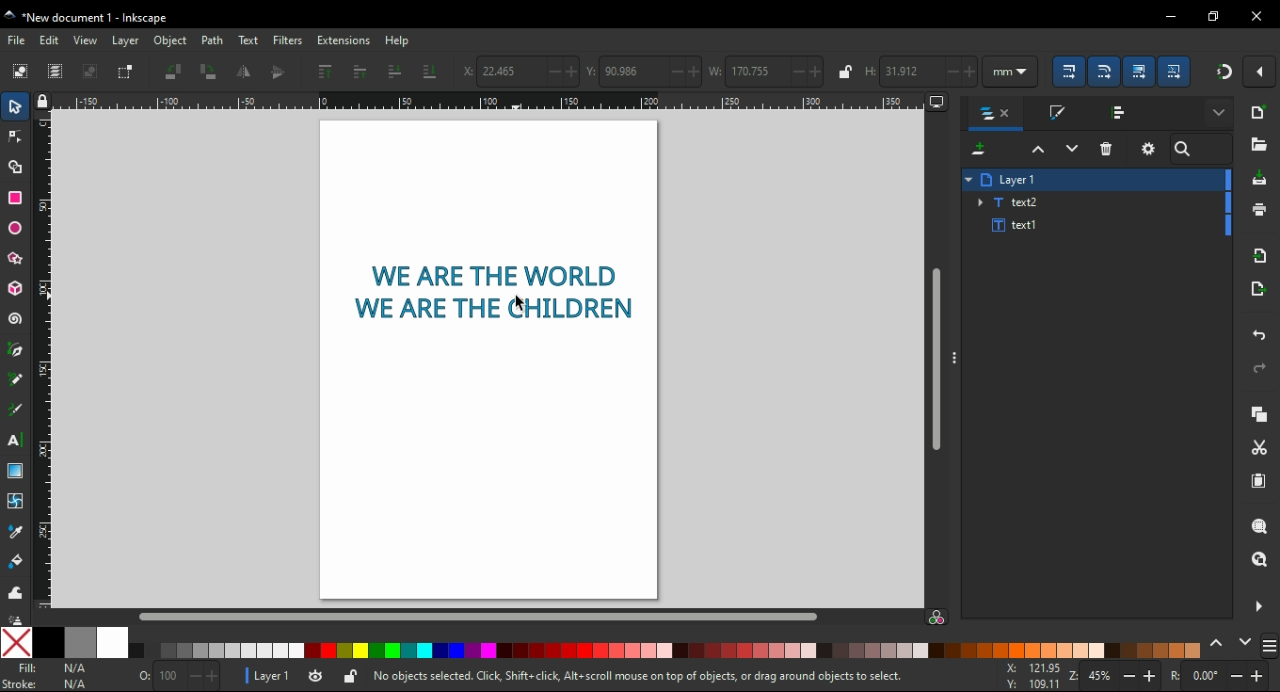 This screenshot has width=1280, height=692. What do you see at coordinates (476, 616) in the screenshot?
I see `scroll bar` at bounding box center [476, 616].